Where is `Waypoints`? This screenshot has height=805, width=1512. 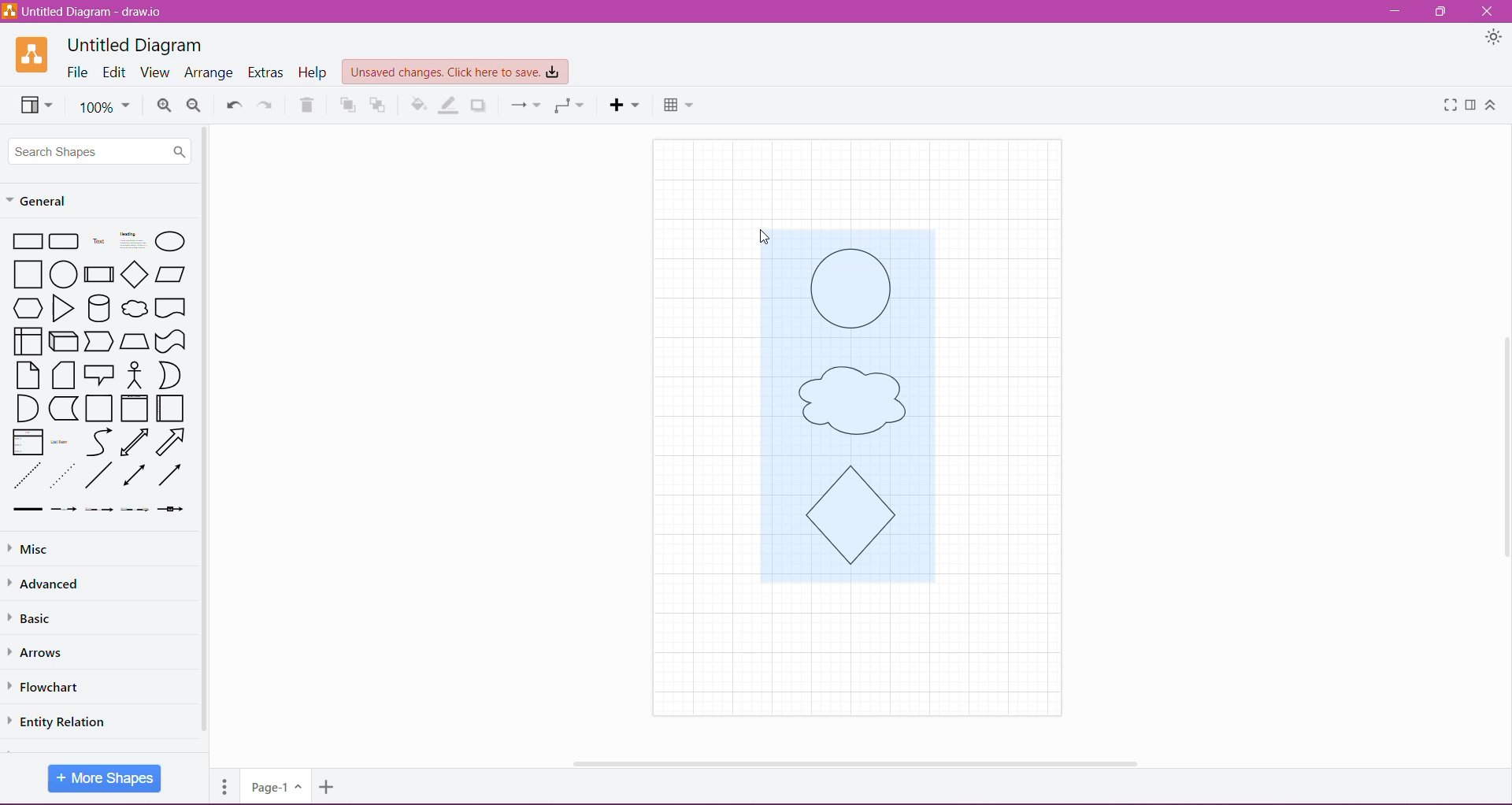
Waypoints is located at coordinates (568, 106).